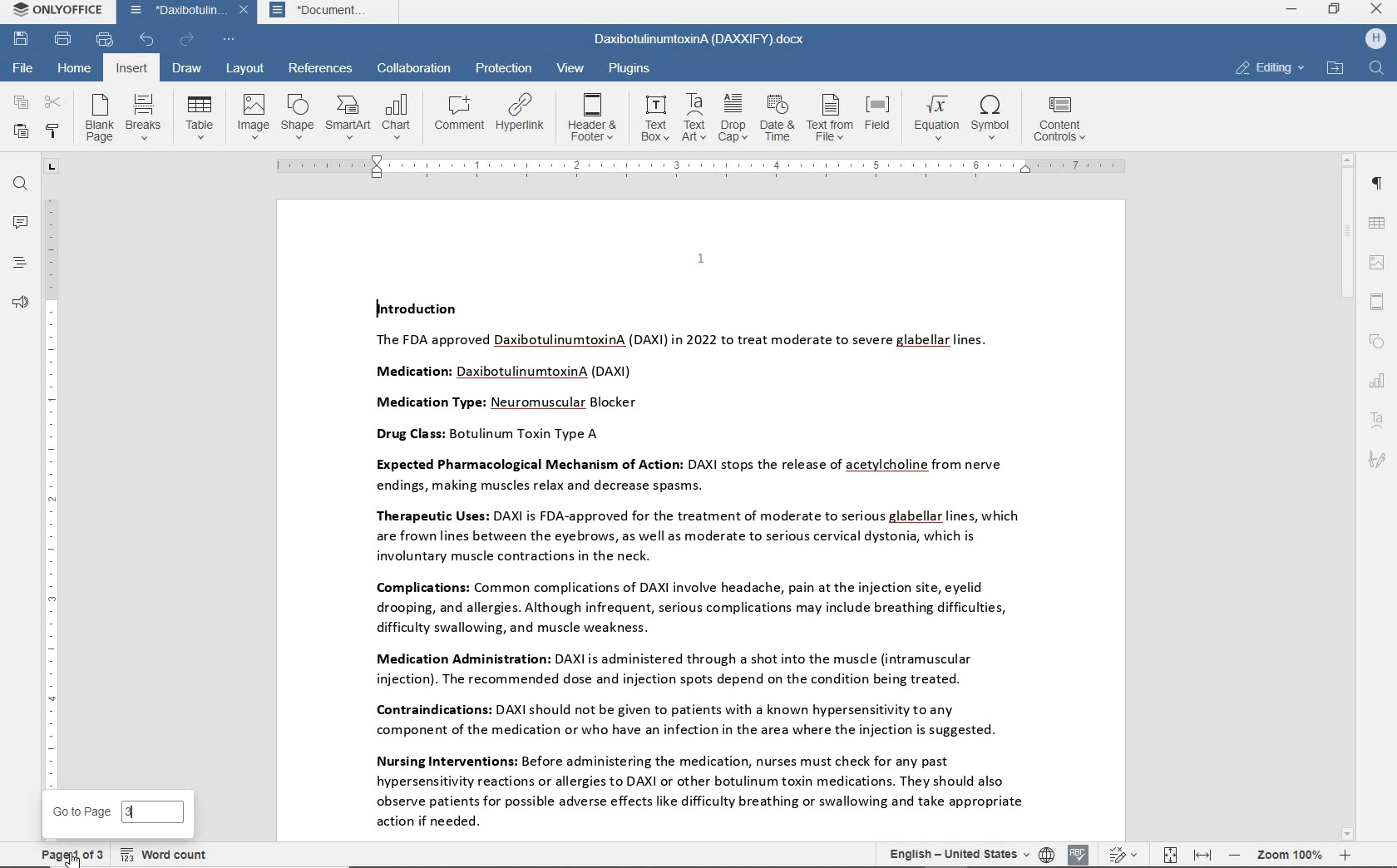  I want to click on field, so click(879, 119).